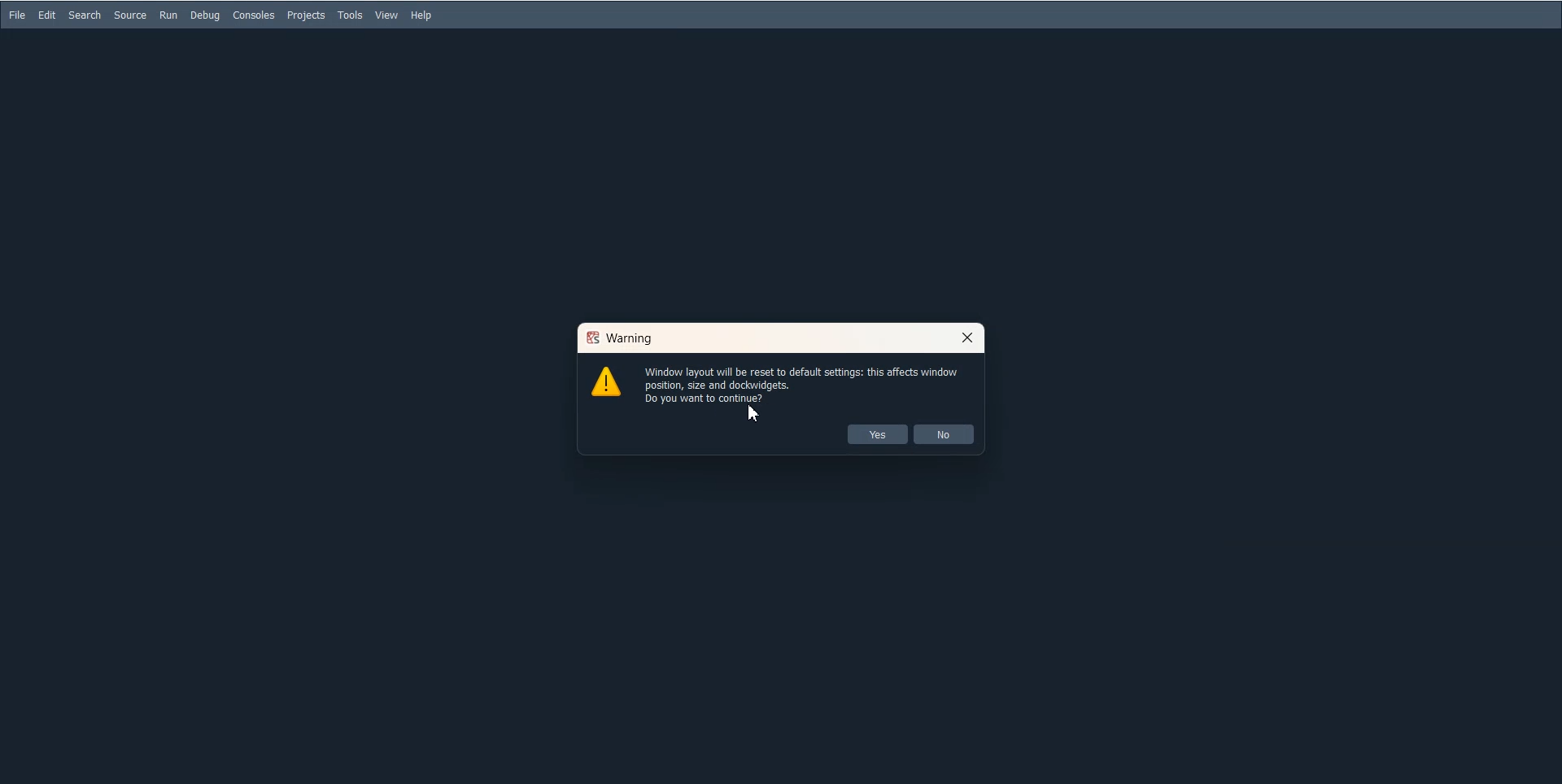  What do you see at coordinates (621, 338) in the screenshot?
I see `Text` at bounding box center [621, 338].